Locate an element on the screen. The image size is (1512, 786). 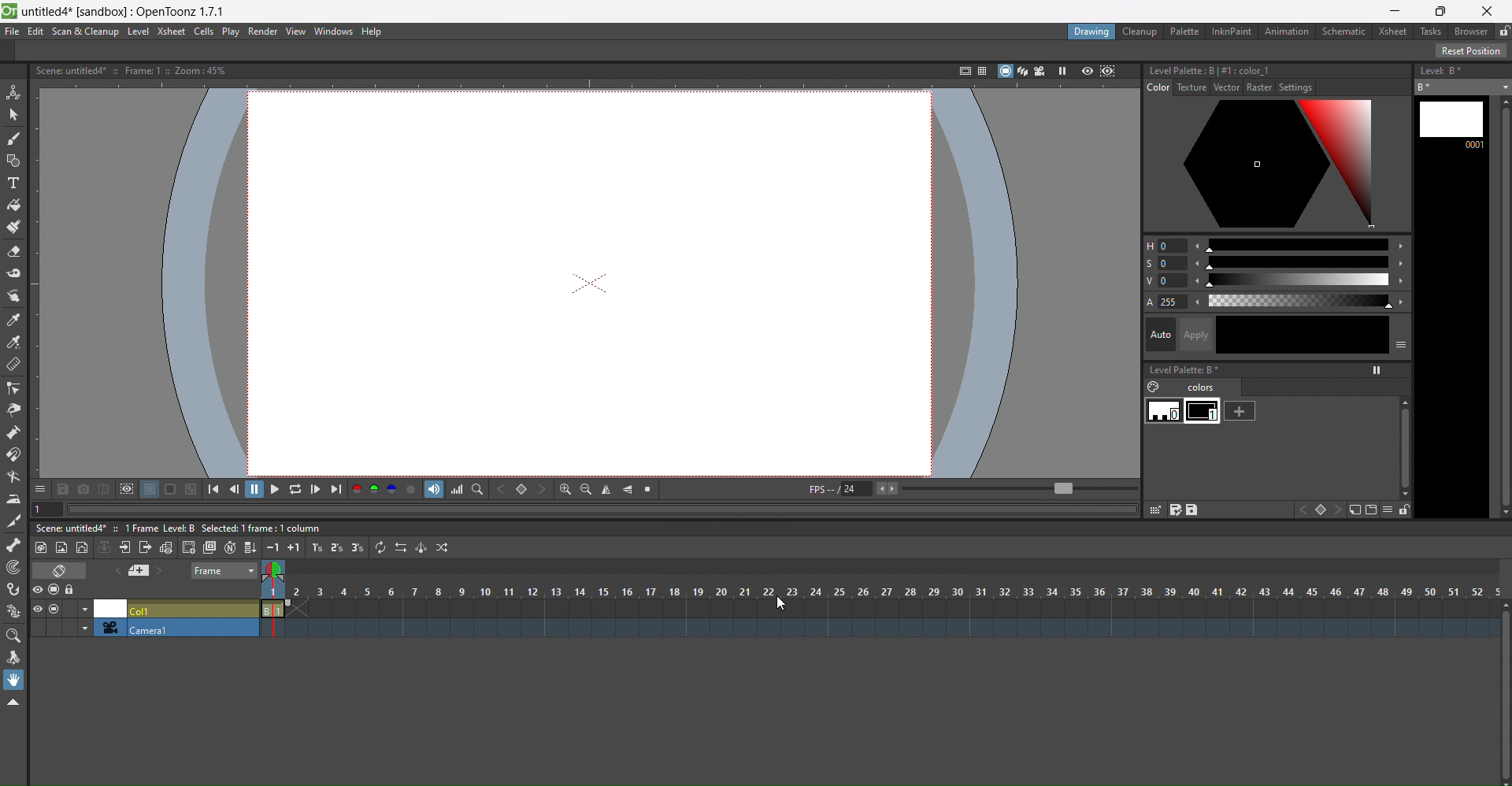
fill tool is located at coordinates (14, 206).